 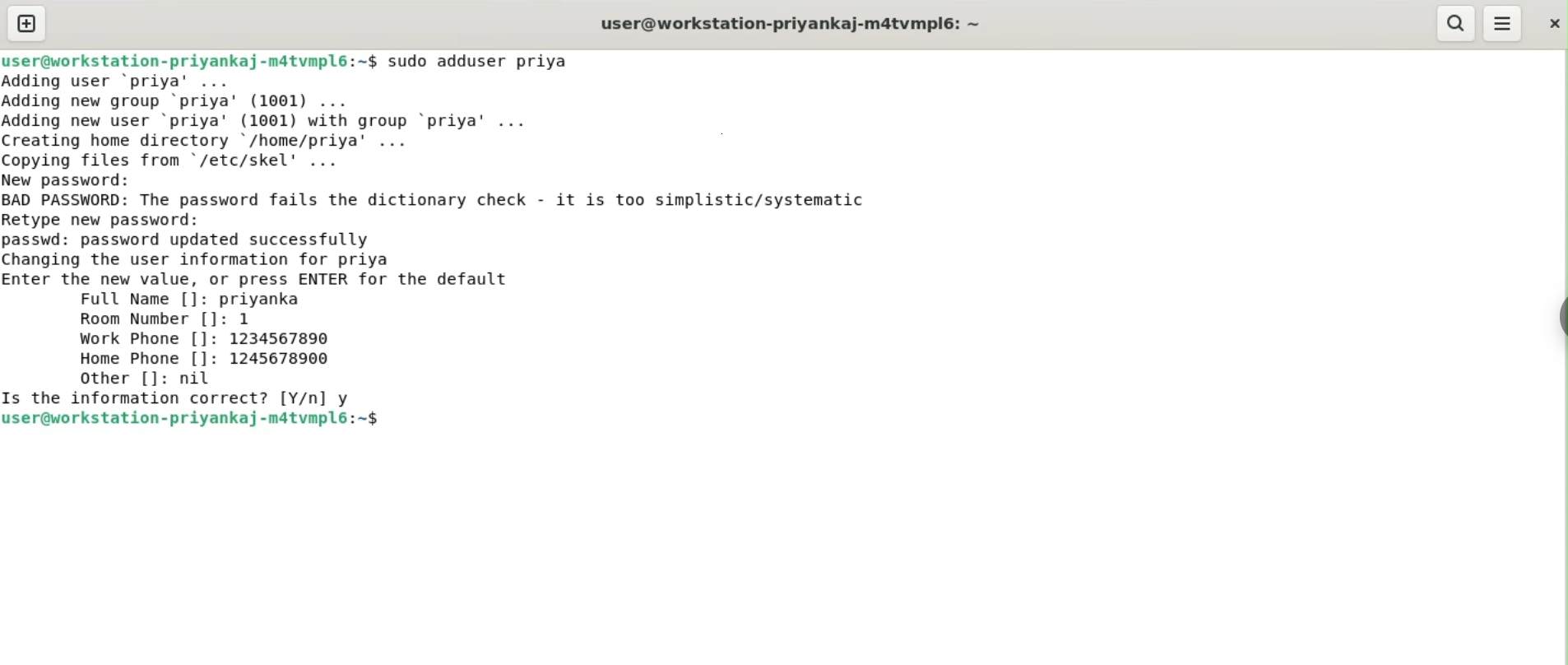 I want to click on new tab, so click(x=27, y=23).